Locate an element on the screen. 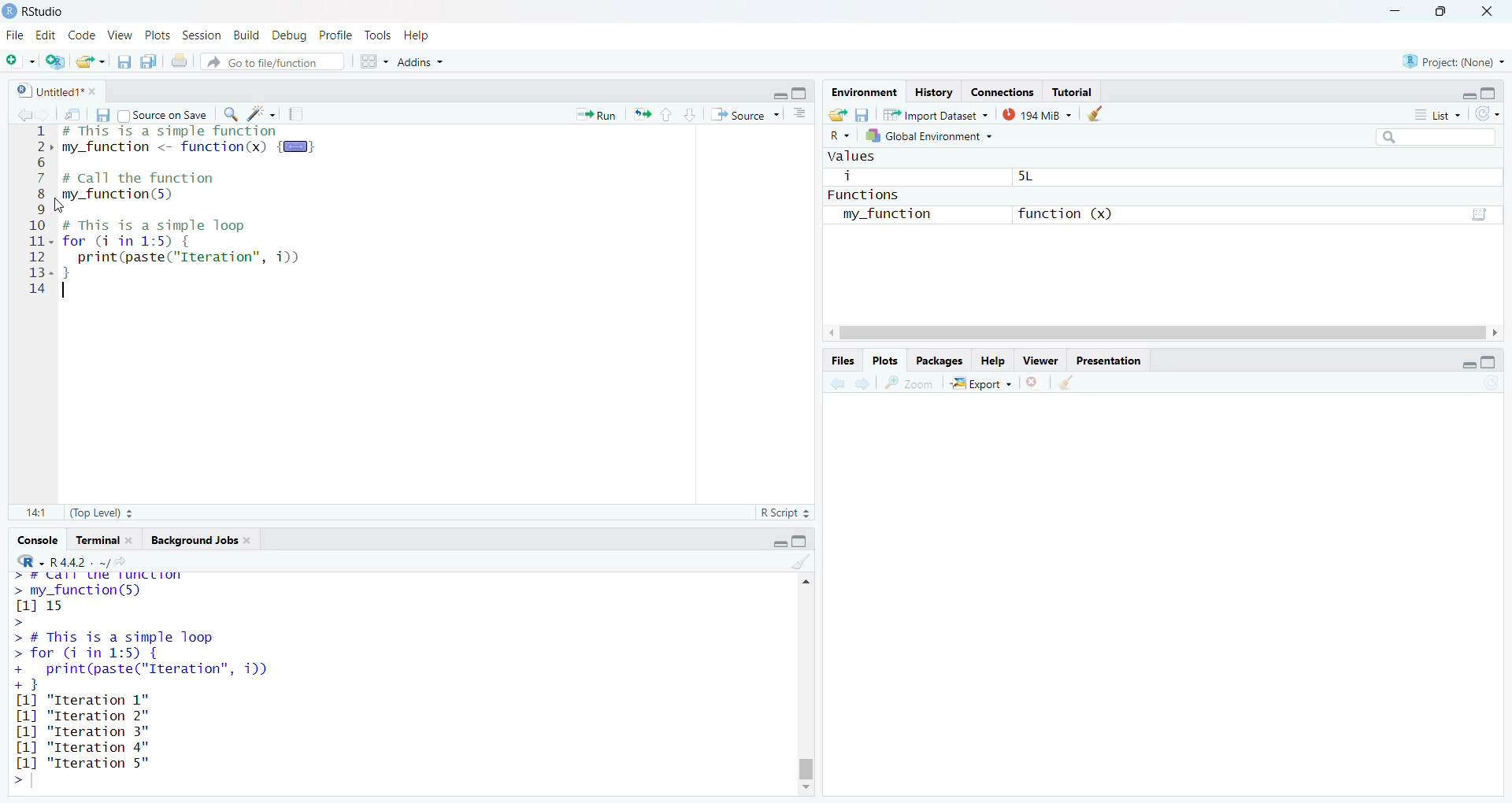 The height and width of the screenshot is (803, 1512). save current document is located at coordinates (102, 113).